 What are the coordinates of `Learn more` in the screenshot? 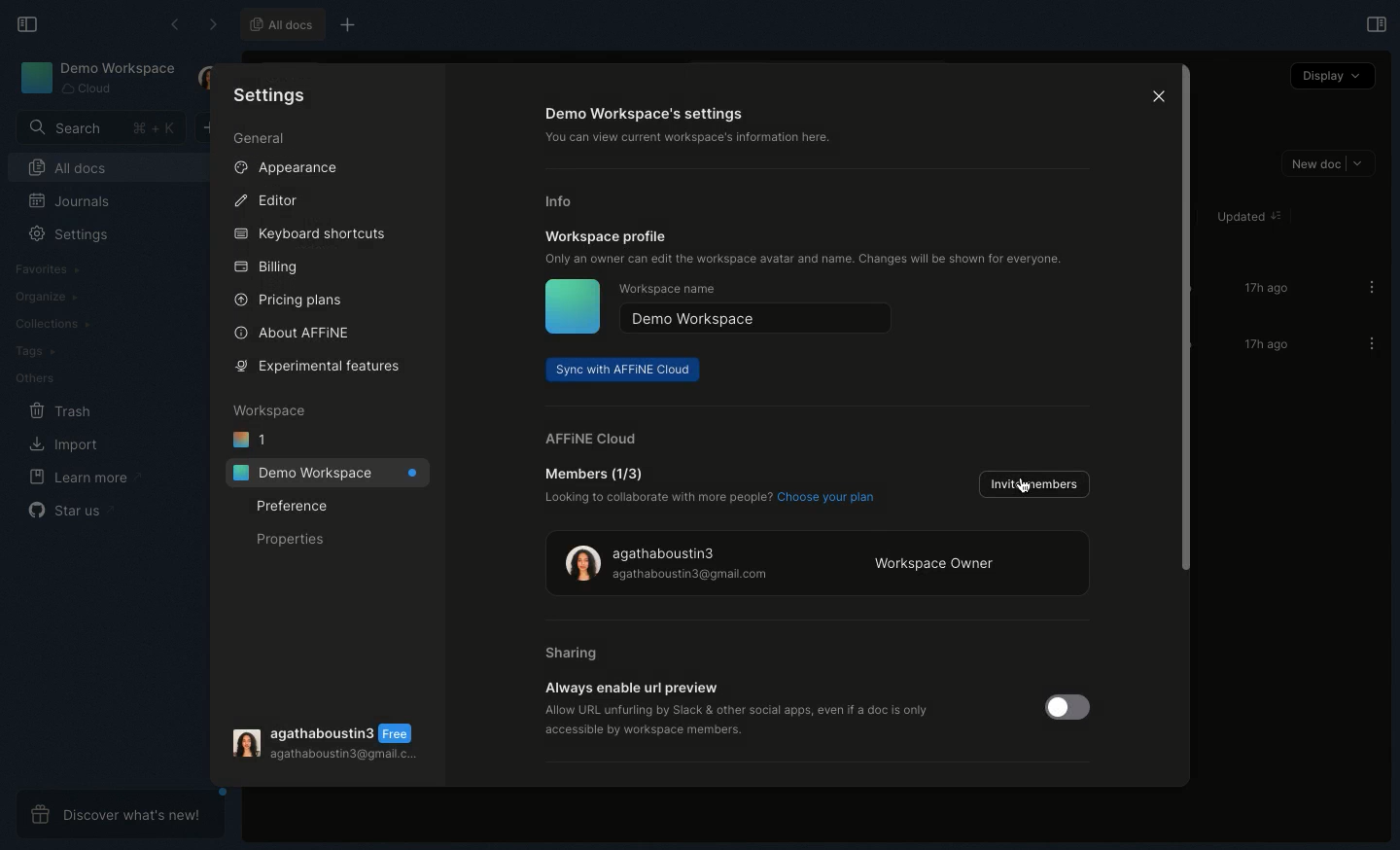 It's located at (82, 478).